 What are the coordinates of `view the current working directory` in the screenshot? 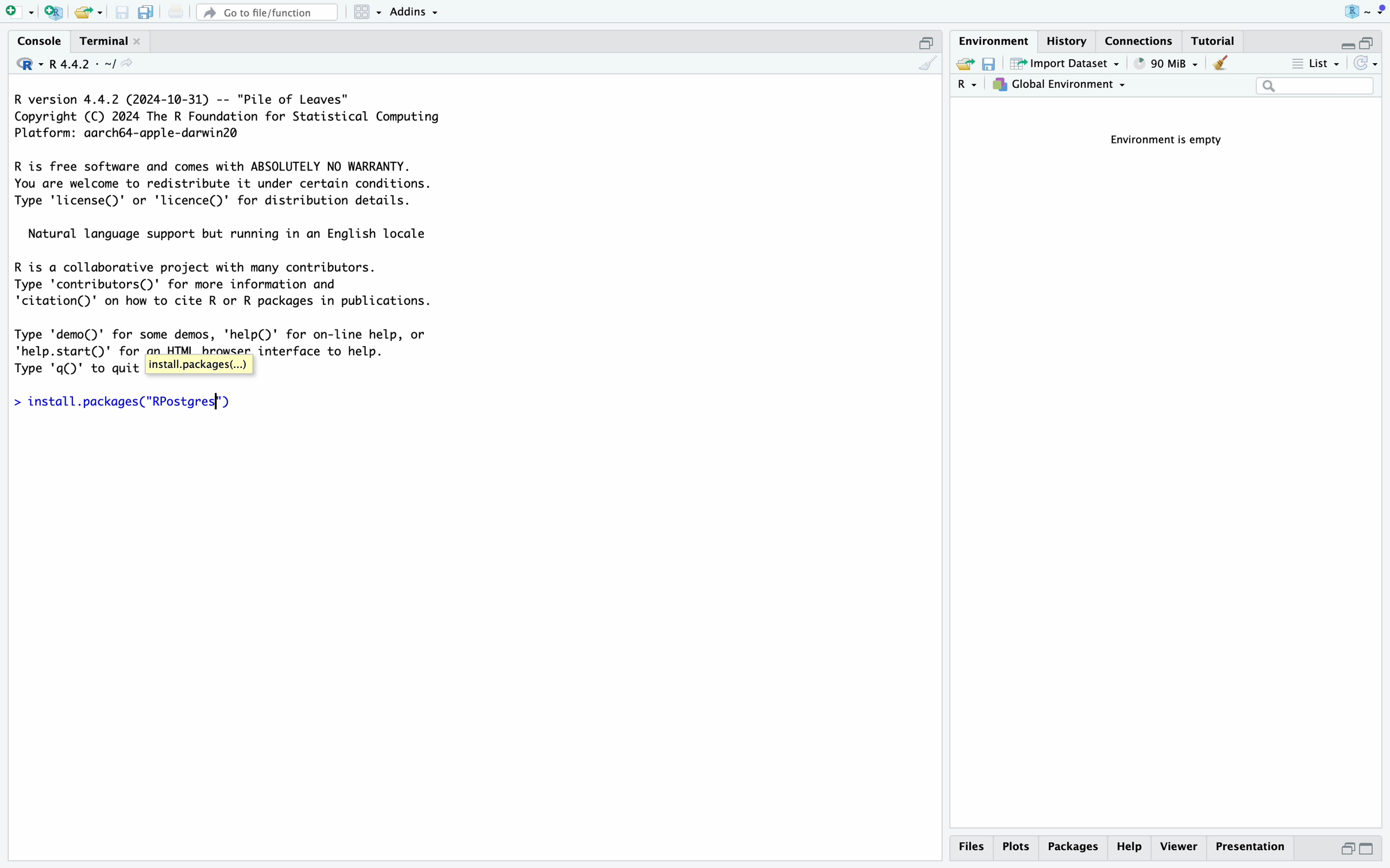 It's located at (132, 65).